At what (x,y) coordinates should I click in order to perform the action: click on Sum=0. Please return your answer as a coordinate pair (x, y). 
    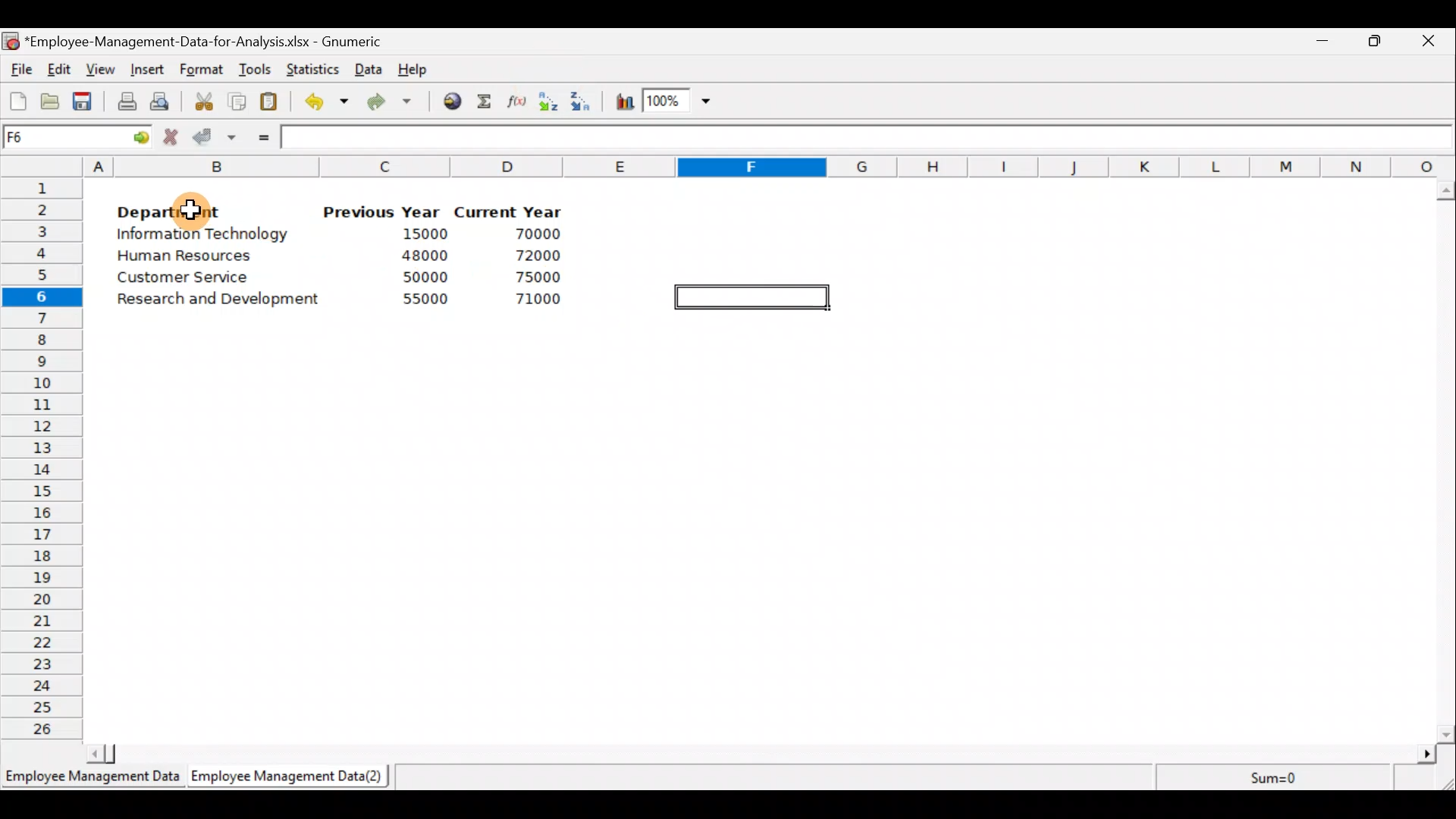
    Looking at the image, I should click on (1282, 780).